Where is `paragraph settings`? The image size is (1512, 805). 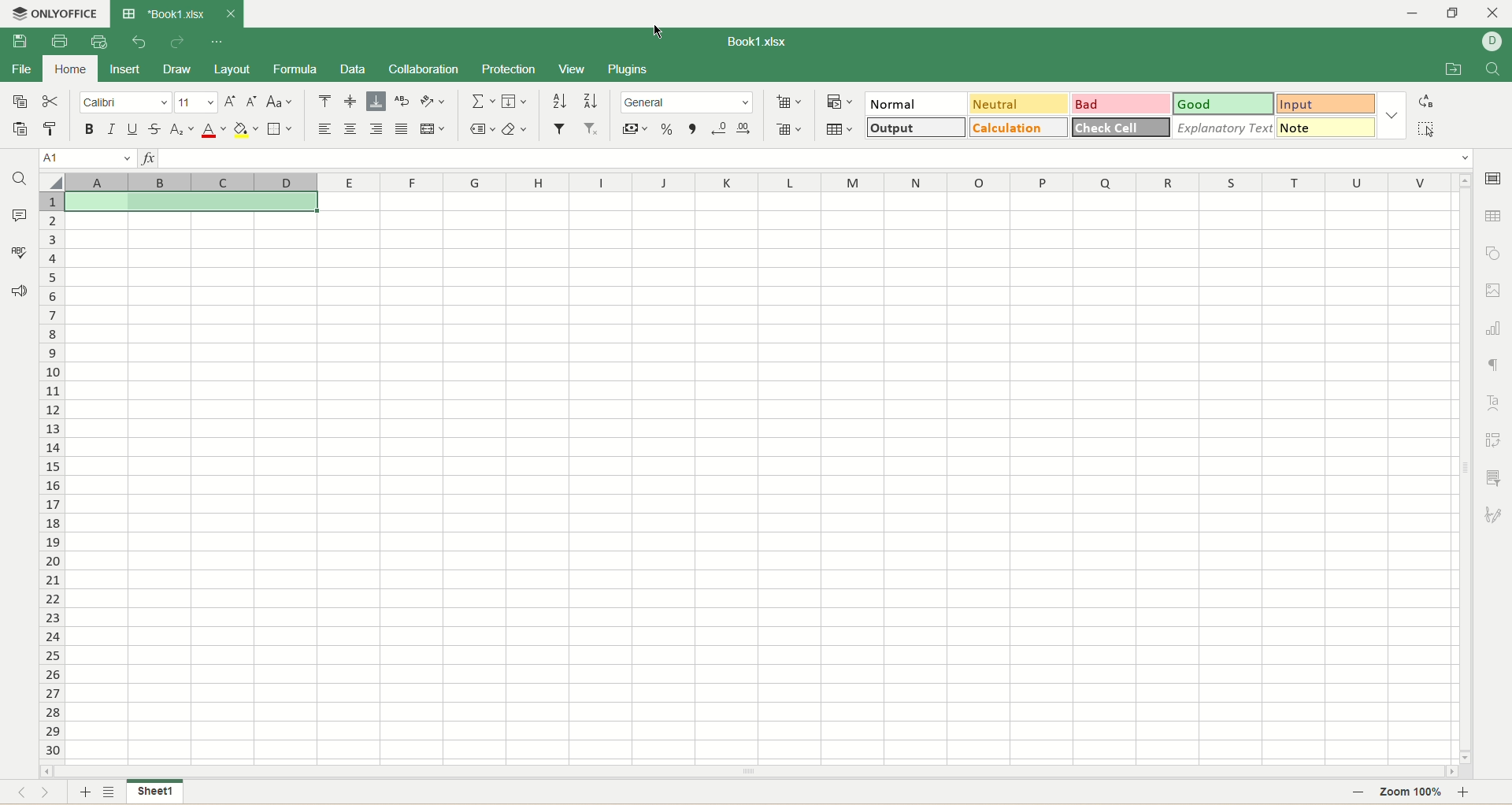 paragraph settings is located at coordinates (1494, 361).